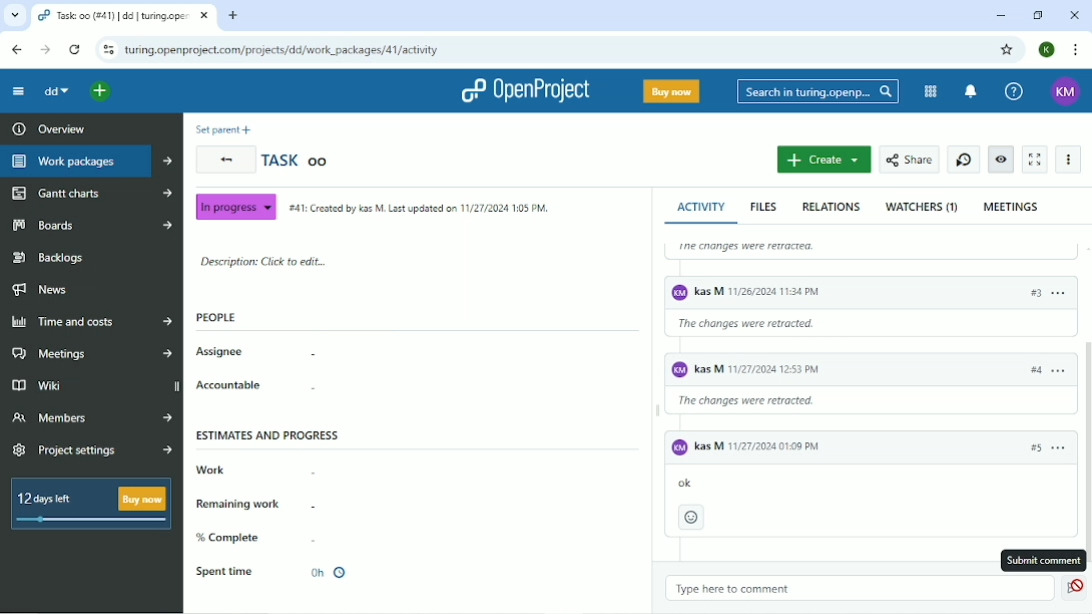 Image resolution: width=1092 pixels, height=614 pixels. What do you see at coordinates (831, 206) in the screenshot?
I see `Relations` at bounding box center [831, 206].